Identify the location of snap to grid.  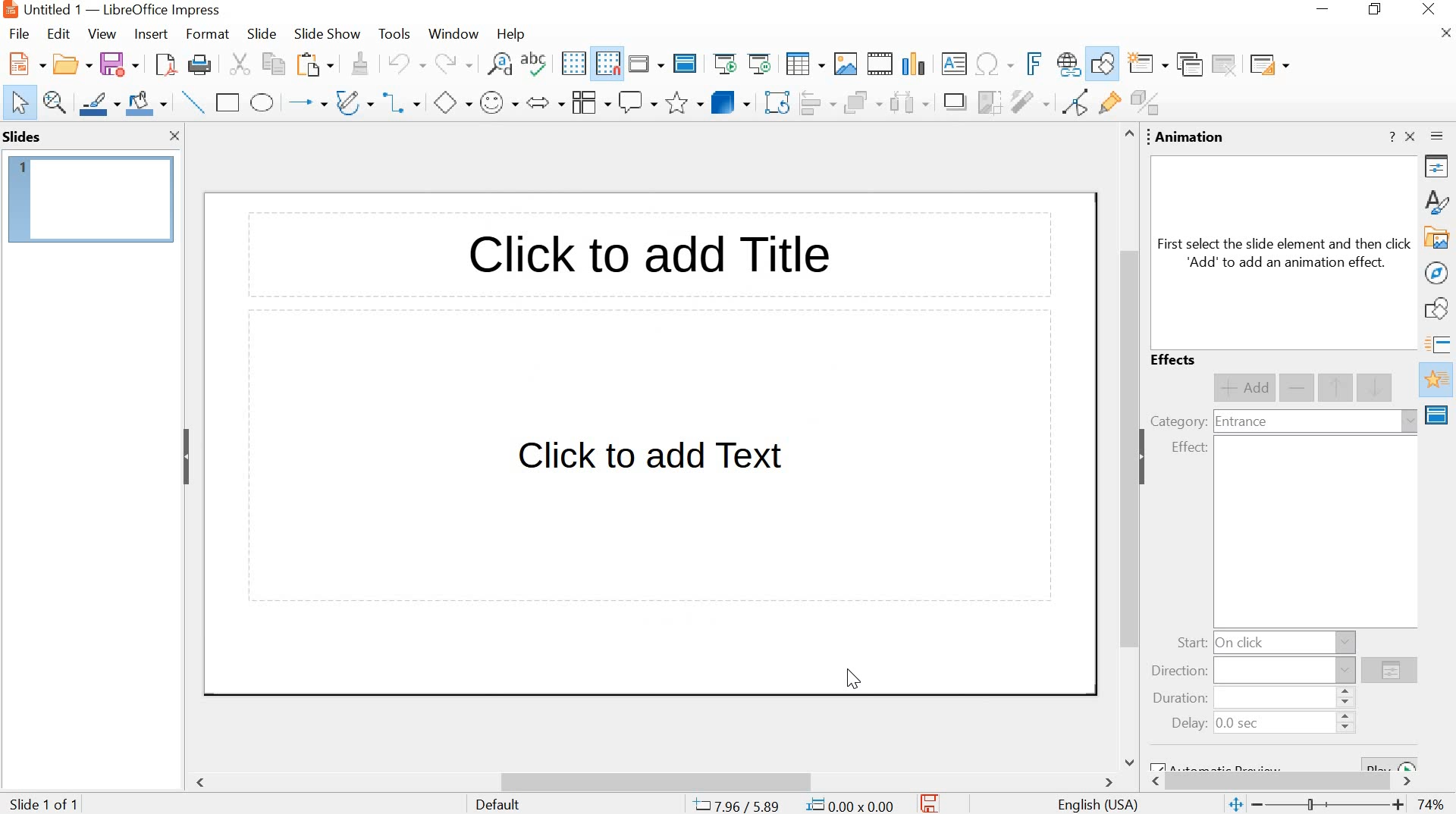
(607, 64).